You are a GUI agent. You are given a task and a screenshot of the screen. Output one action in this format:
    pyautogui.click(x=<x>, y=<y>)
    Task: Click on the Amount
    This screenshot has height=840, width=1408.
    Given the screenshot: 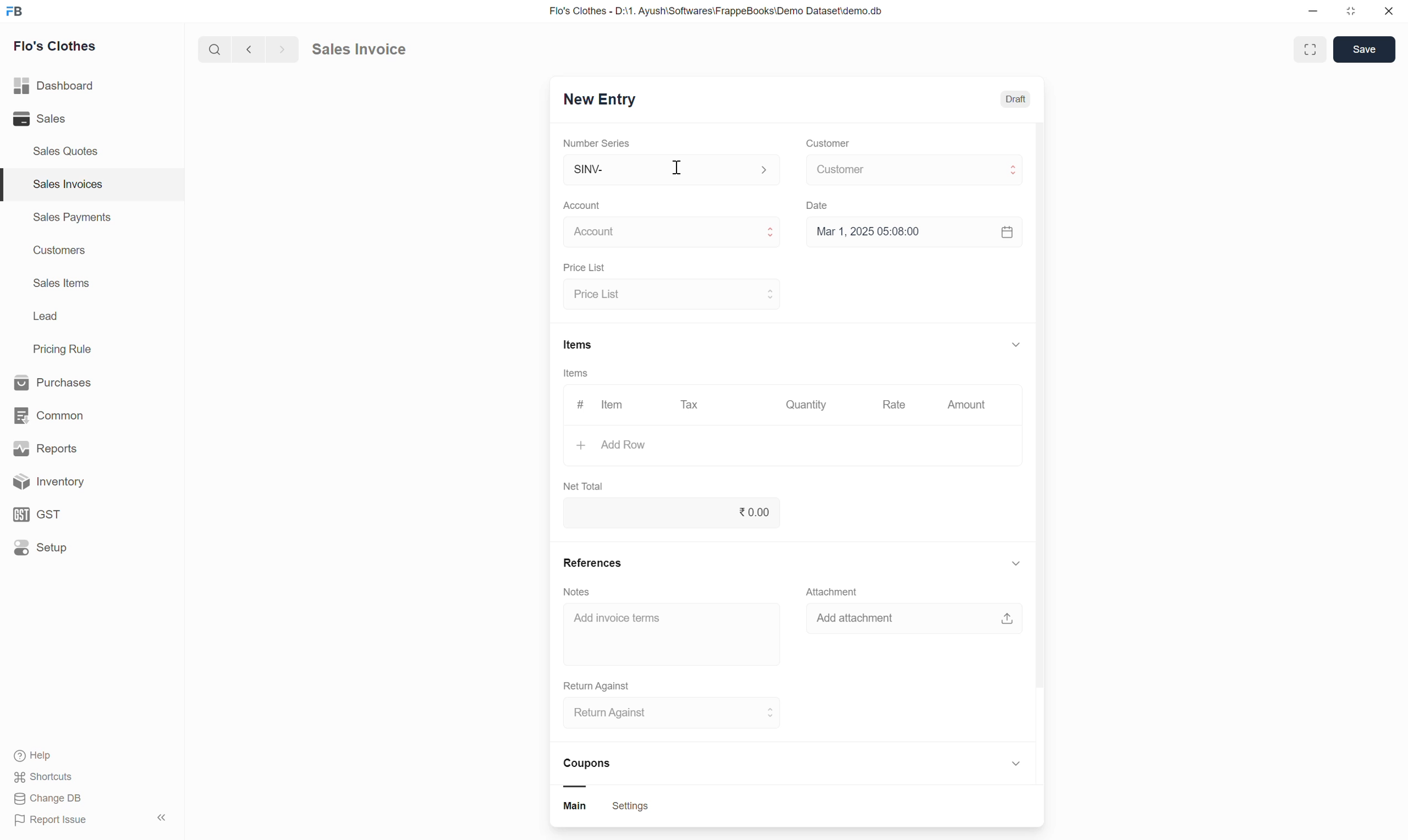 What is the action you would take?
    pyautogui.click(x=966, y=405)
    